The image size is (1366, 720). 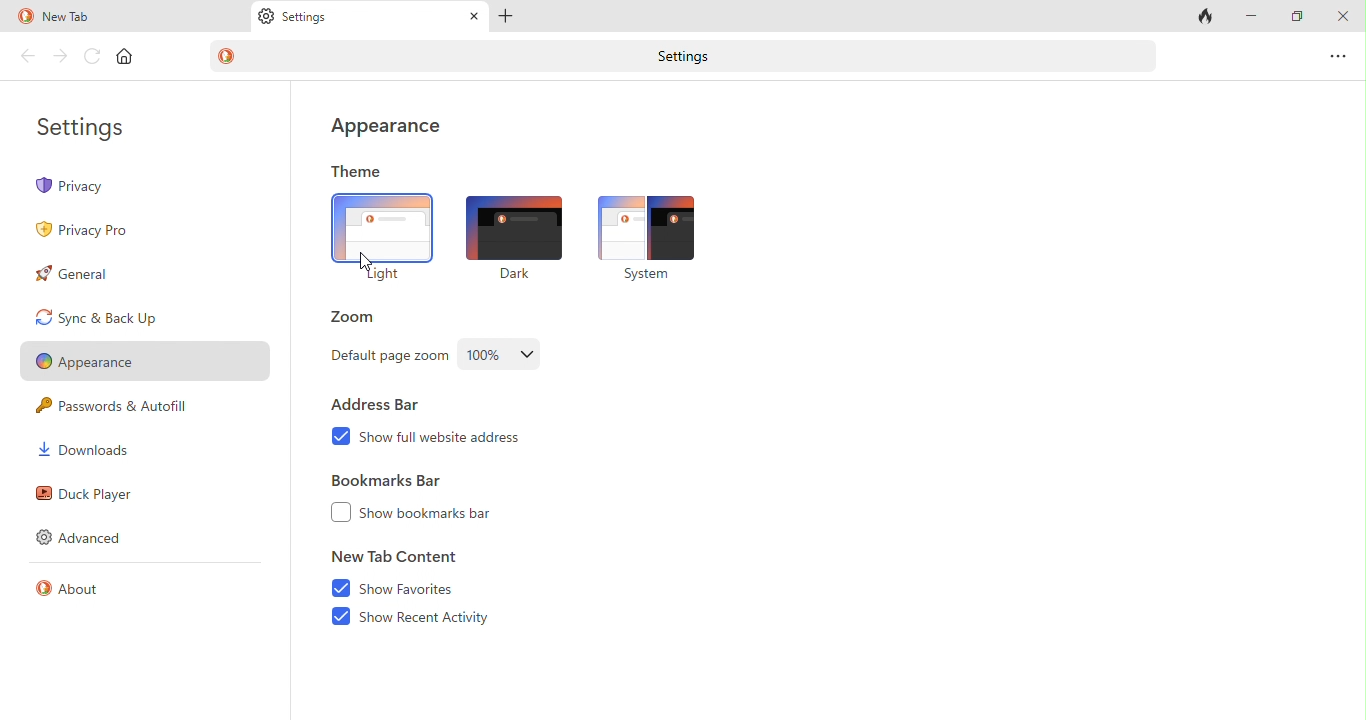 I want to click on back, so click(x=26, y=56).